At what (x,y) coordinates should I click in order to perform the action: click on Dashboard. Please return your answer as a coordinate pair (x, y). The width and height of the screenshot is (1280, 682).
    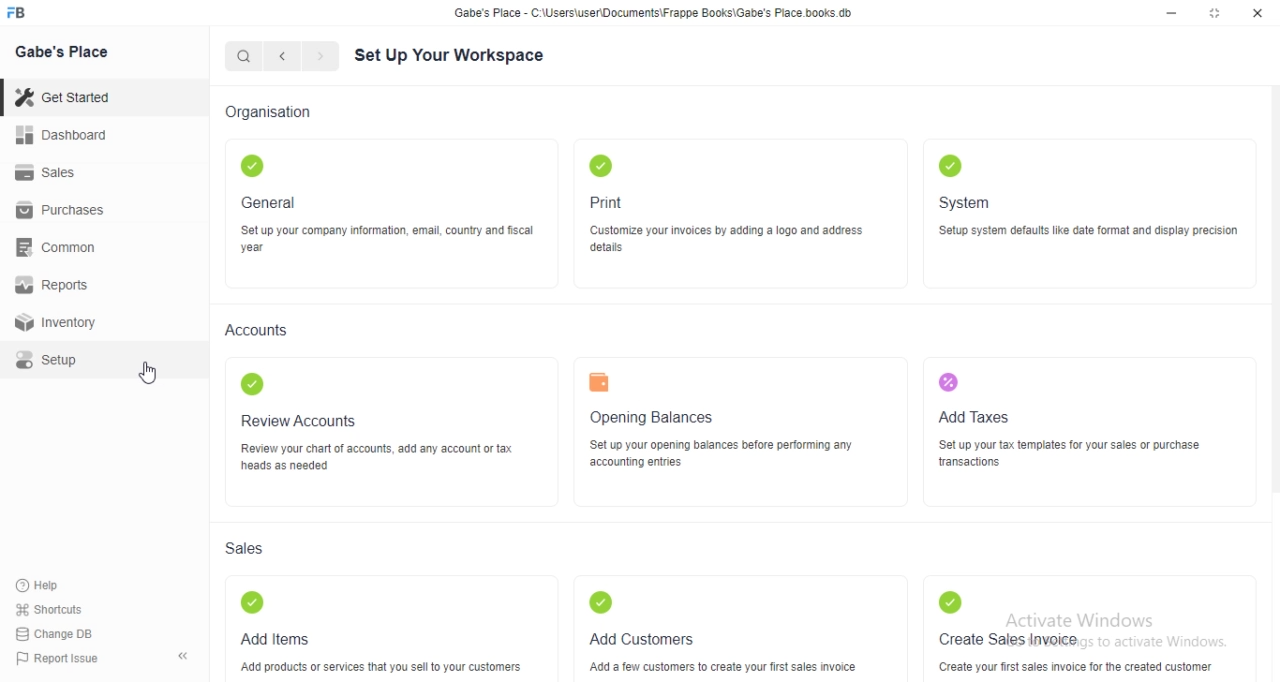
    Looking at the image, I should click on (64, 137).